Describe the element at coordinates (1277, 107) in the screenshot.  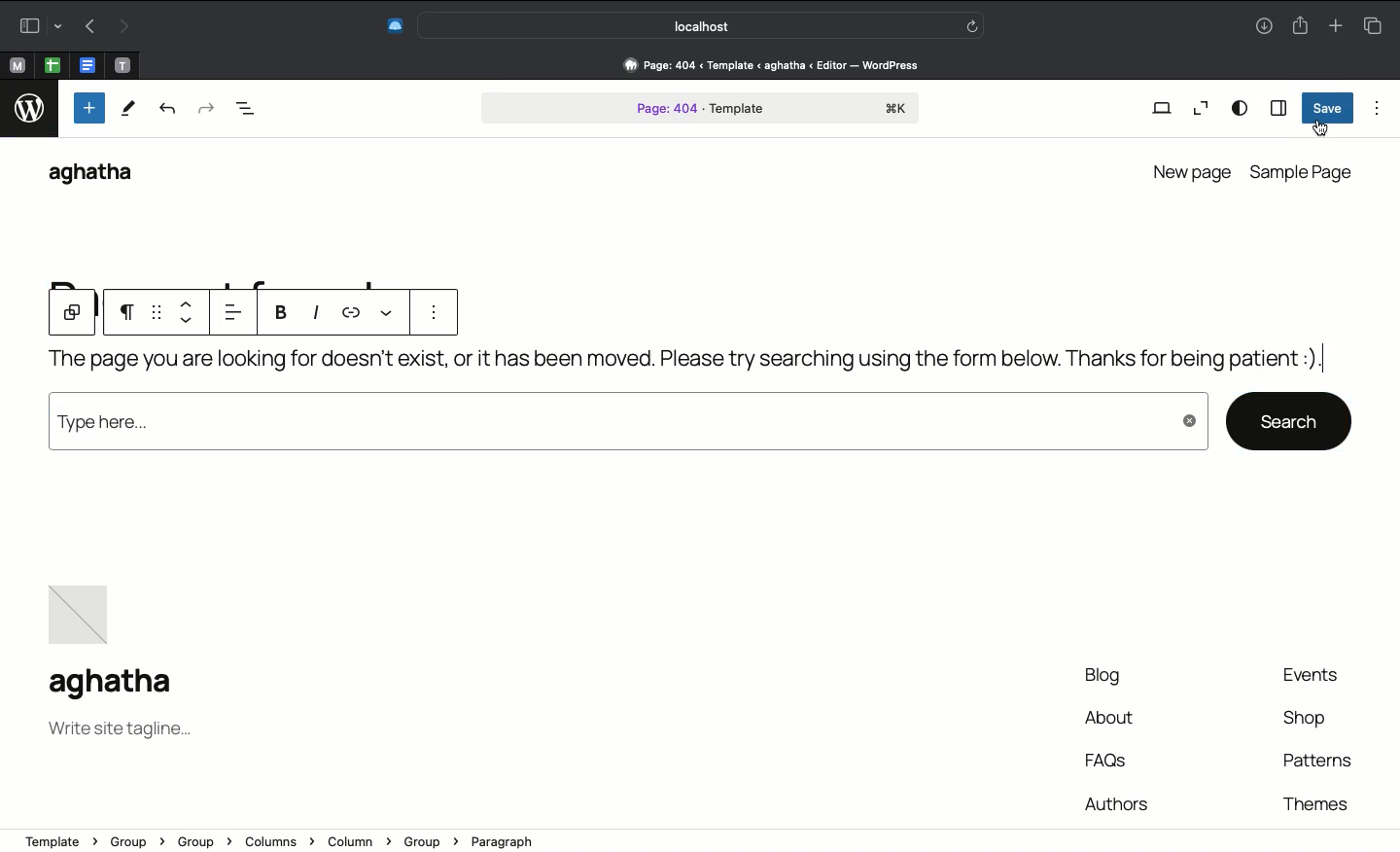
I see `Sidebar` at that location.